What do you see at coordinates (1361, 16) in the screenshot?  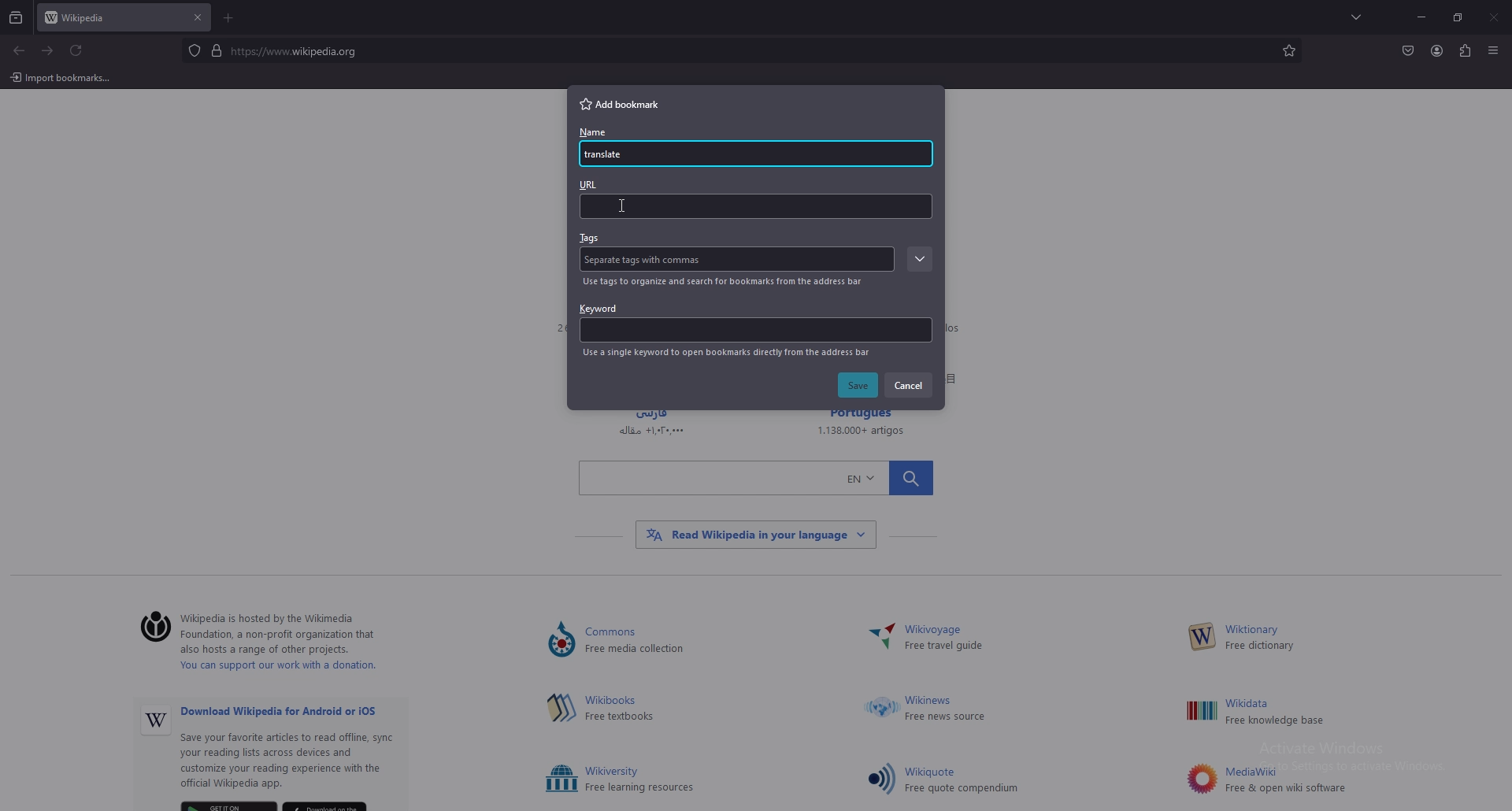 I see `list all tabs` at bounding box center [1361, 16].